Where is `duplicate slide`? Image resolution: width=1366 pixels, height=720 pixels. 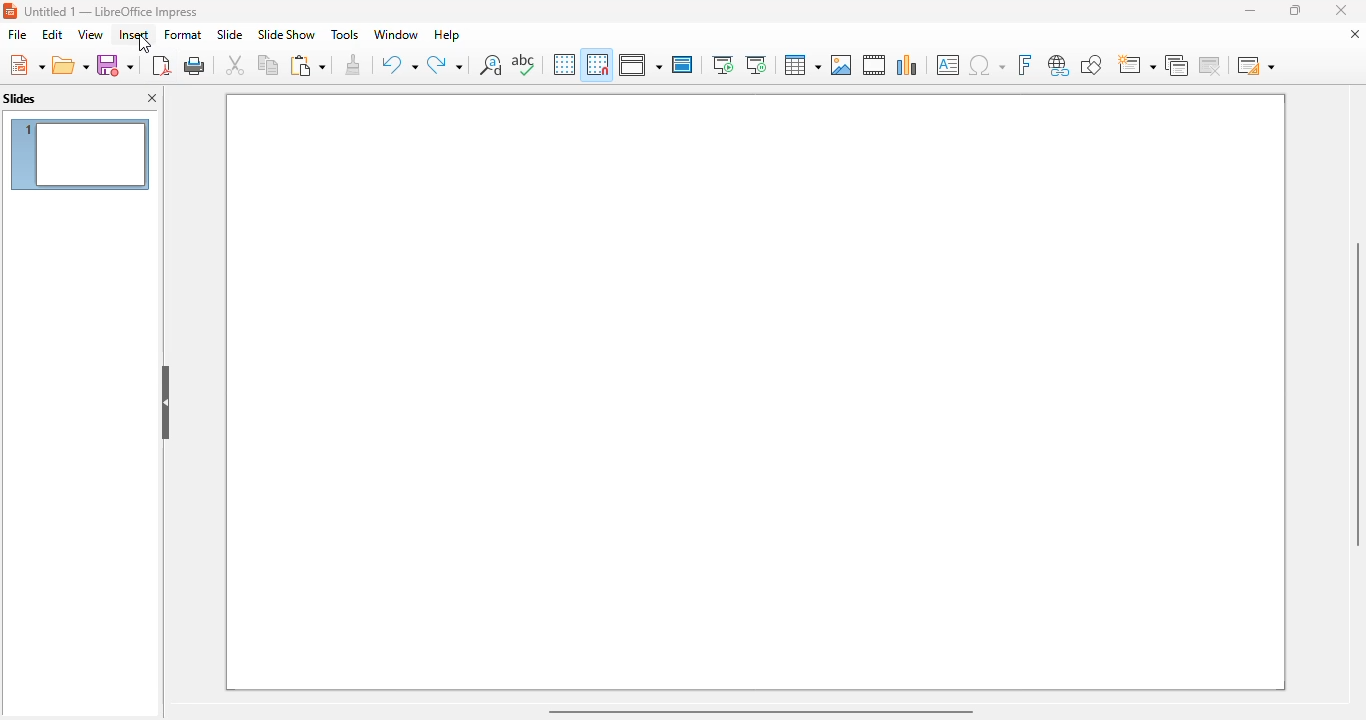
duplicate slide is located at coordinates (1177, 65).